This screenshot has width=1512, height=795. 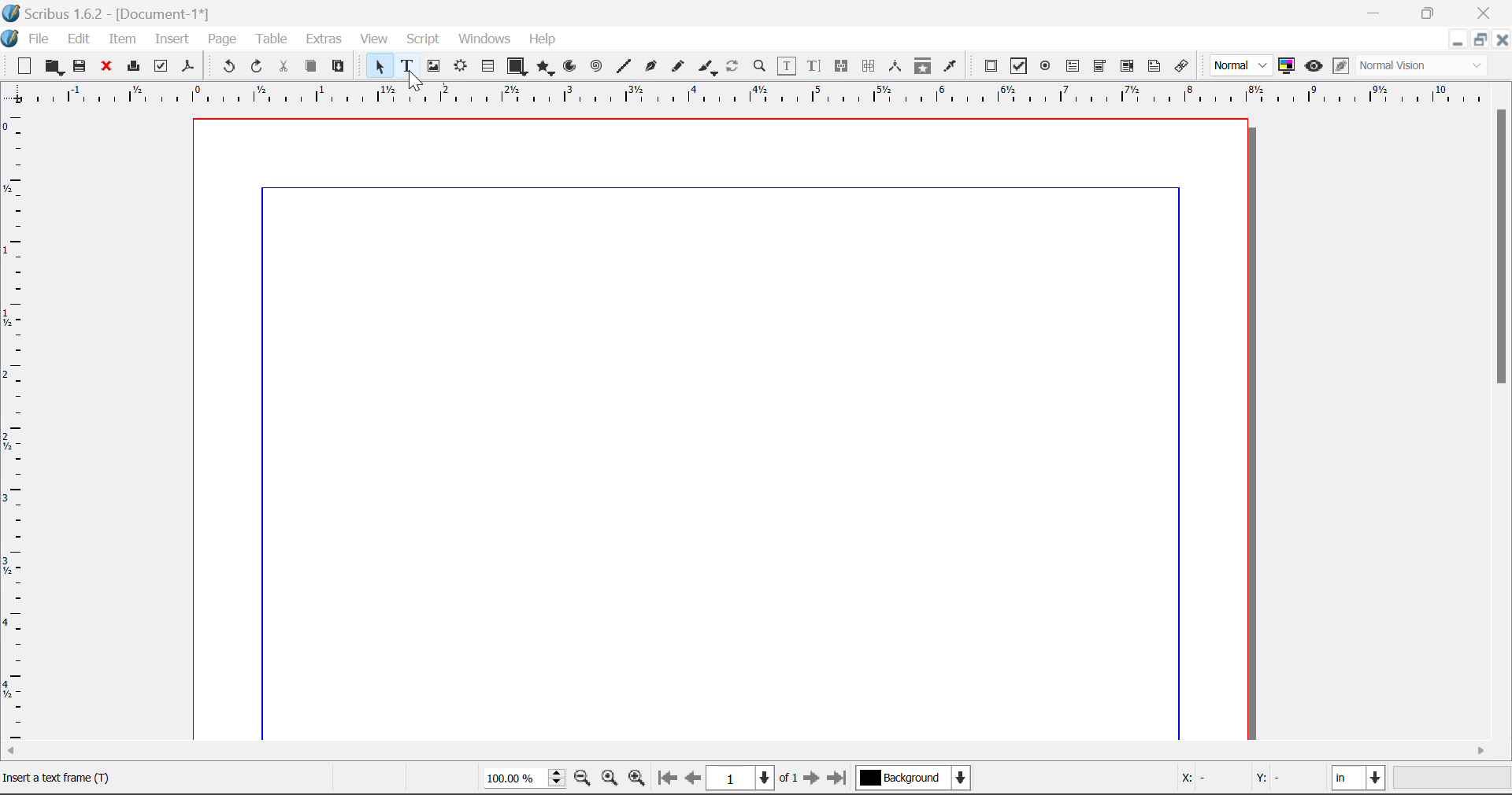 What do you see at coordinates (1377, 13) in the screenshot?
I see `Restore Down` at bounding box center [1377, 13].